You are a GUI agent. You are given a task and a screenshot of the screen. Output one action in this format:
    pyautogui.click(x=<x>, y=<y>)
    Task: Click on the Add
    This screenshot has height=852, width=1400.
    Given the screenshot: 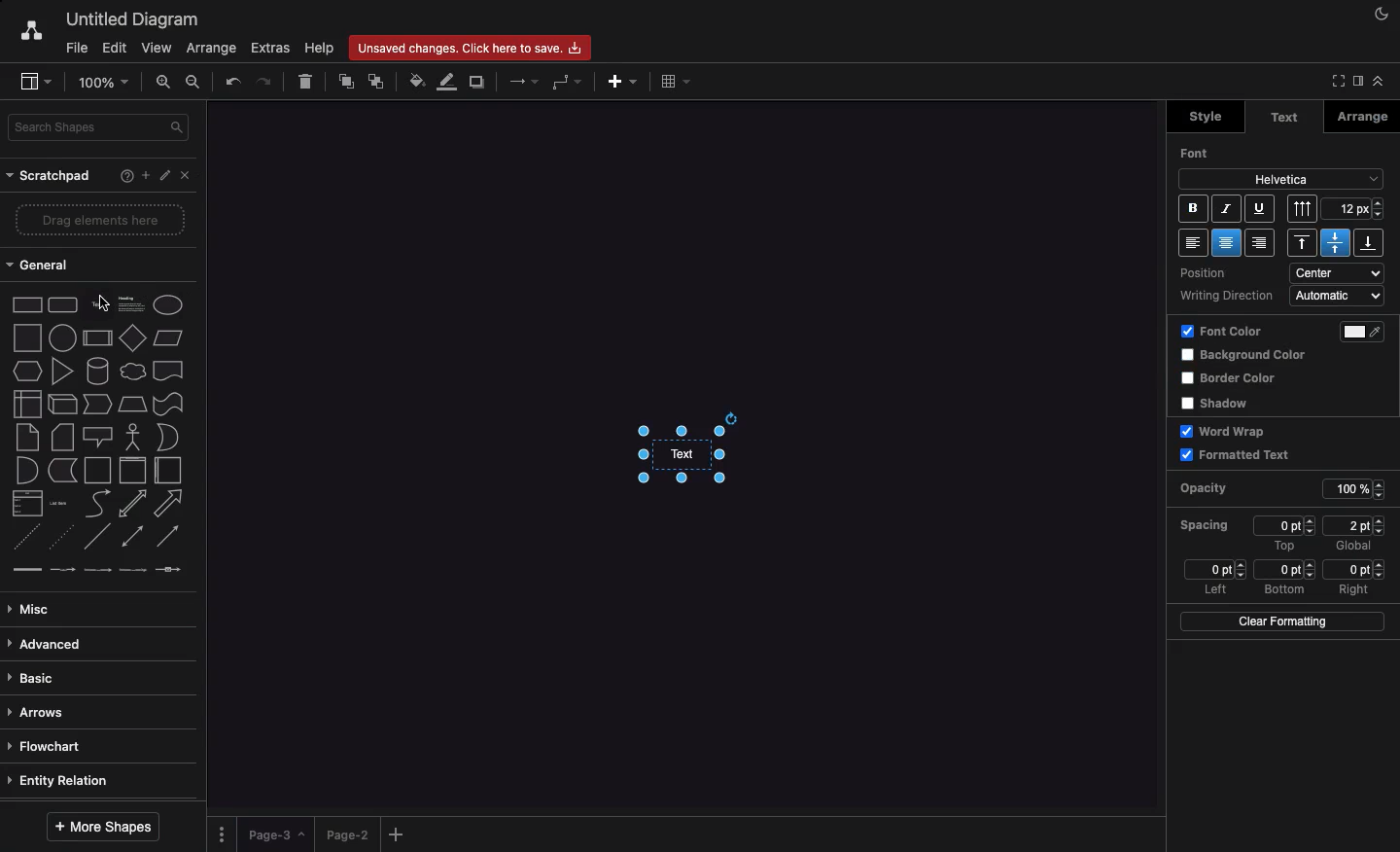 What is the action you would take?
    pyautogui.click(x=145, y=174)
    